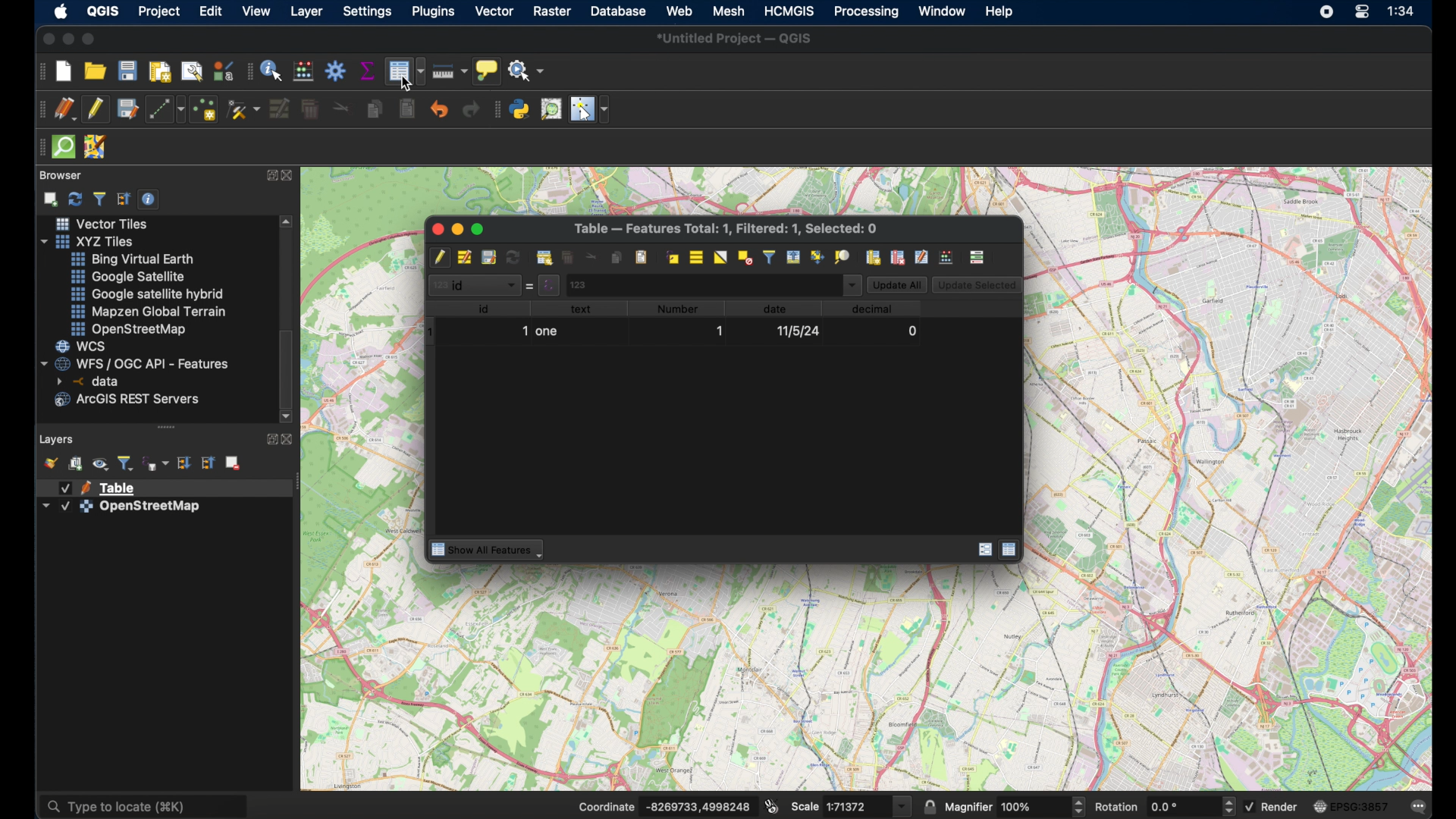 The image size is (1456, 819). What do you see at coordinates (126, 108) in the screenshot?
I see `save edits ` at bounding box center [126, 108].